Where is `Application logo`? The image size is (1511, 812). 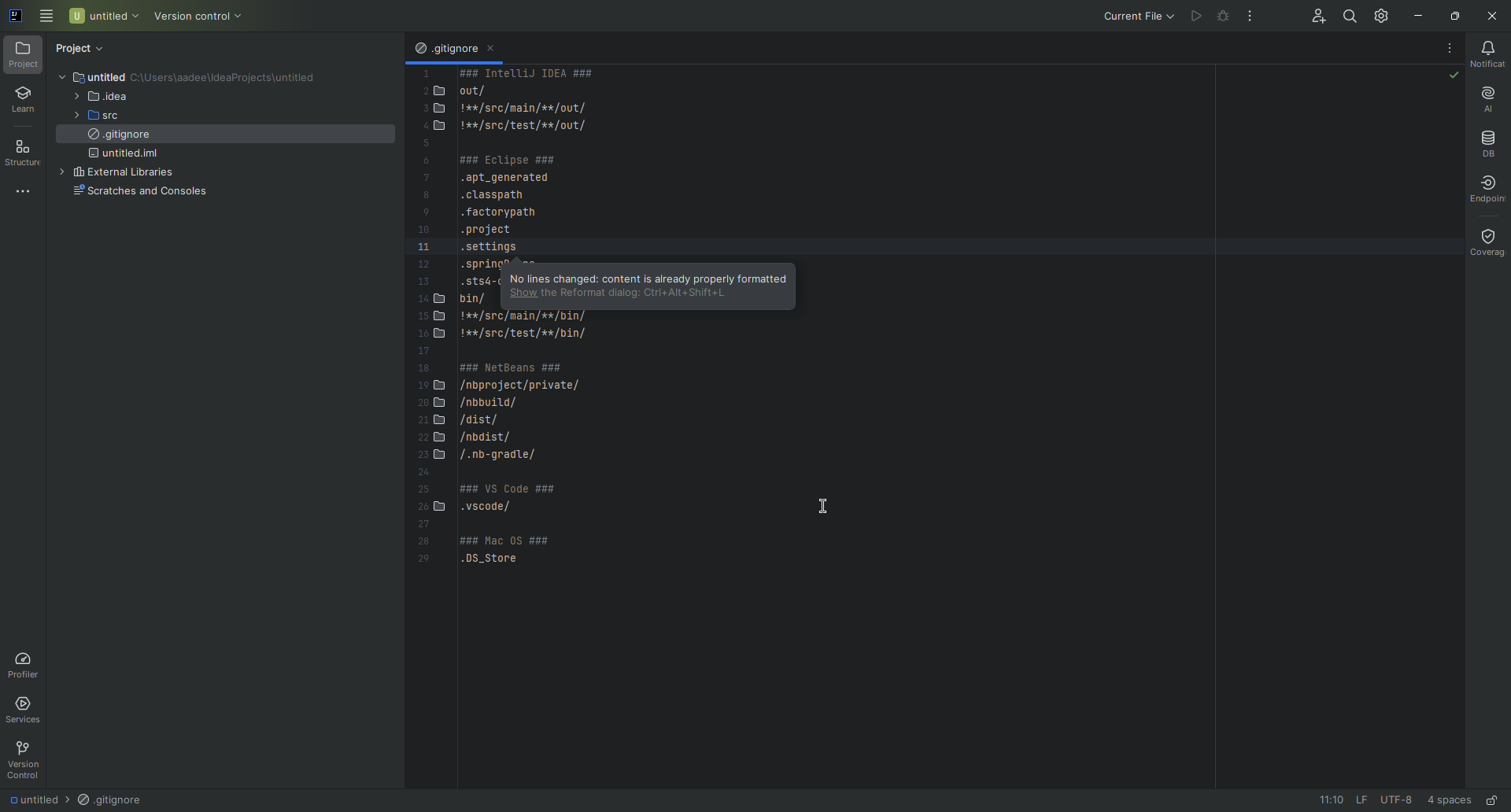
Application logo is located at coordinates (14, 13).